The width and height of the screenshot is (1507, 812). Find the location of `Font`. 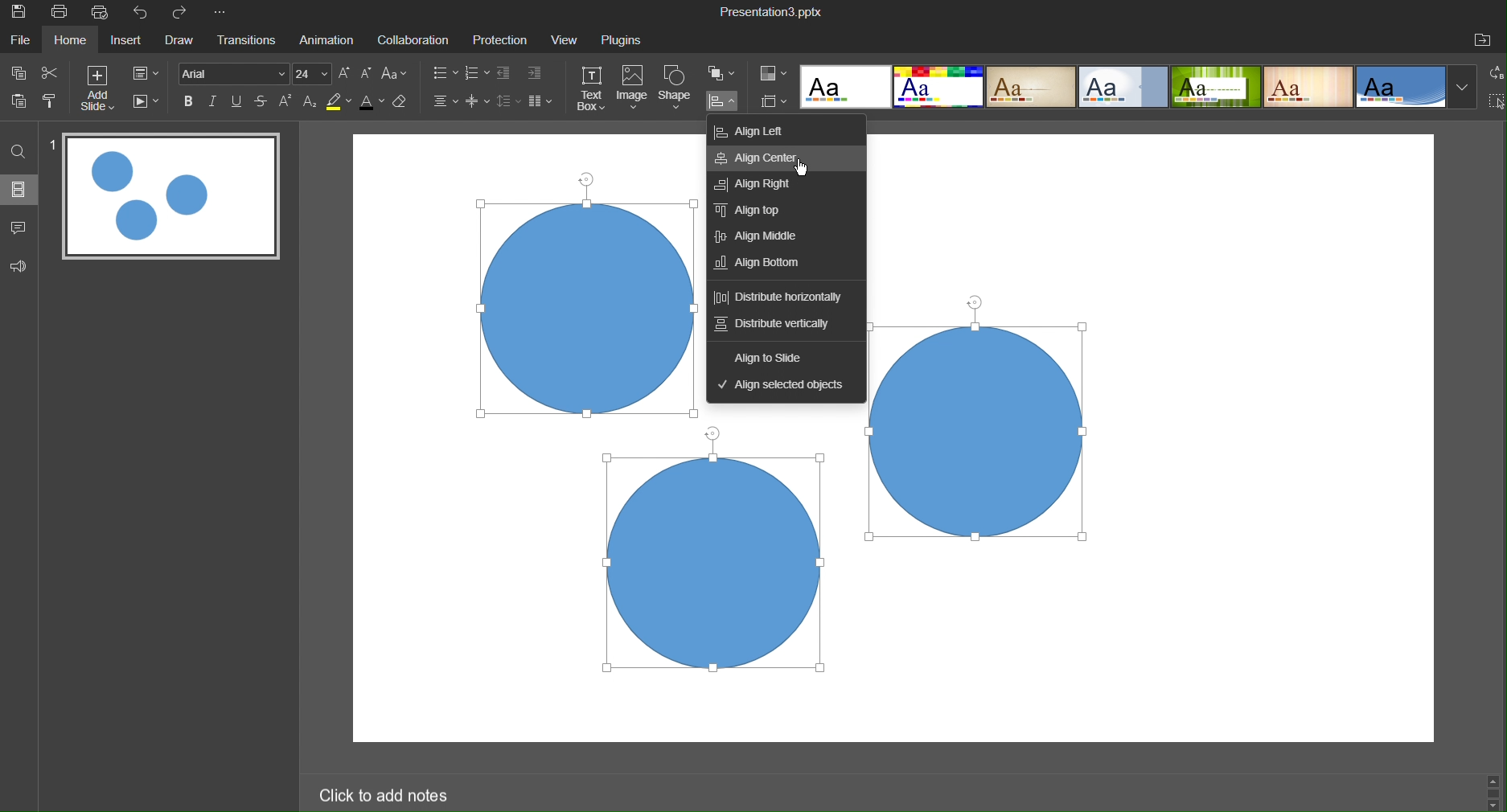

Font is located at coordinates (234, 73).